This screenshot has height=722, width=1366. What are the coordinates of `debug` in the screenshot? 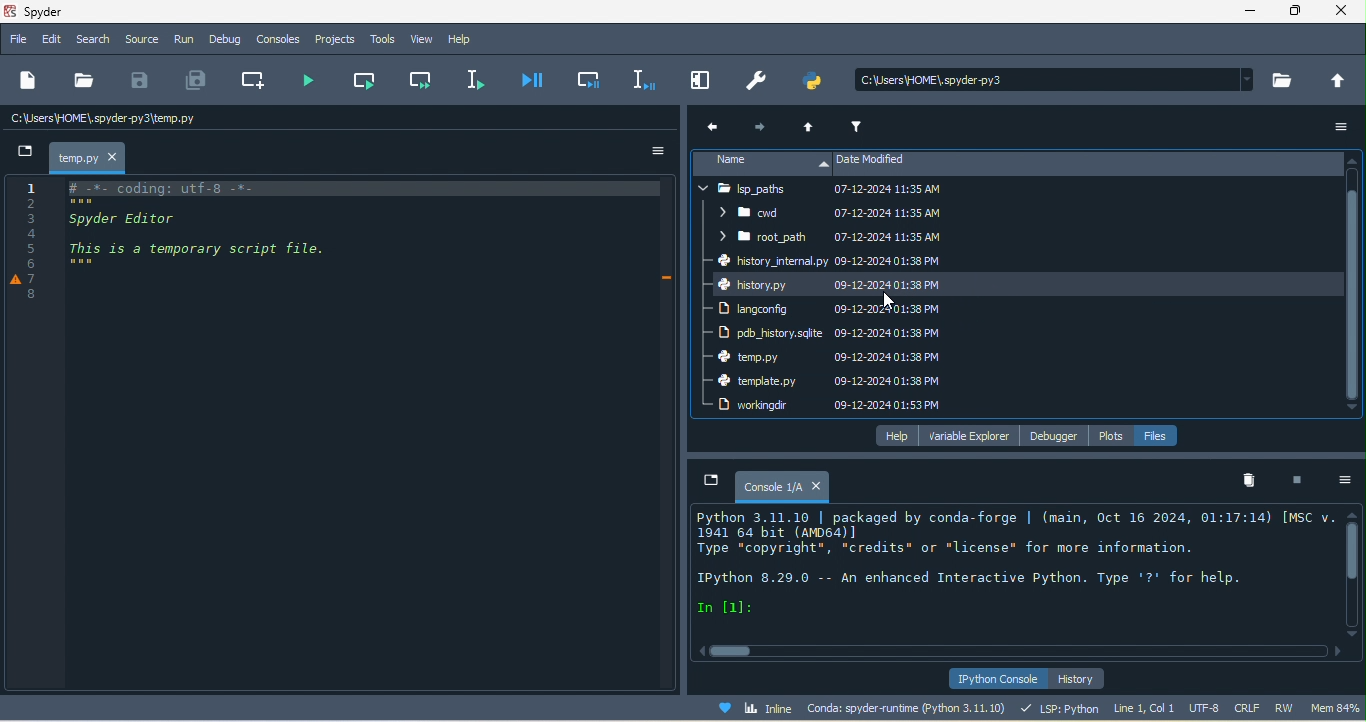 It's located at (224, 39).